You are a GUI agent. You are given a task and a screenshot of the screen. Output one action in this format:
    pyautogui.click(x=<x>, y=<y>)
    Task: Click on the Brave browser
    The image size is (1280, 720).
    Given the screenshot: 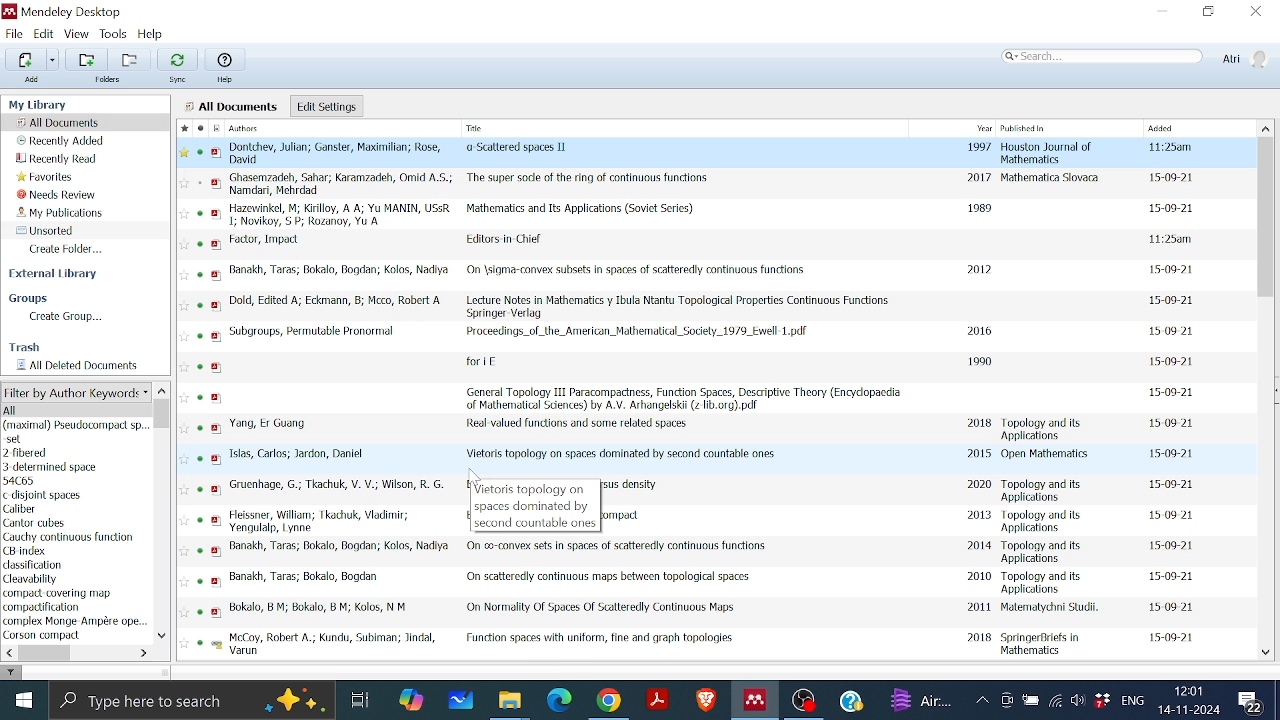 What is the action you would take?
    pyautogui.click(x=708, y=700)
    